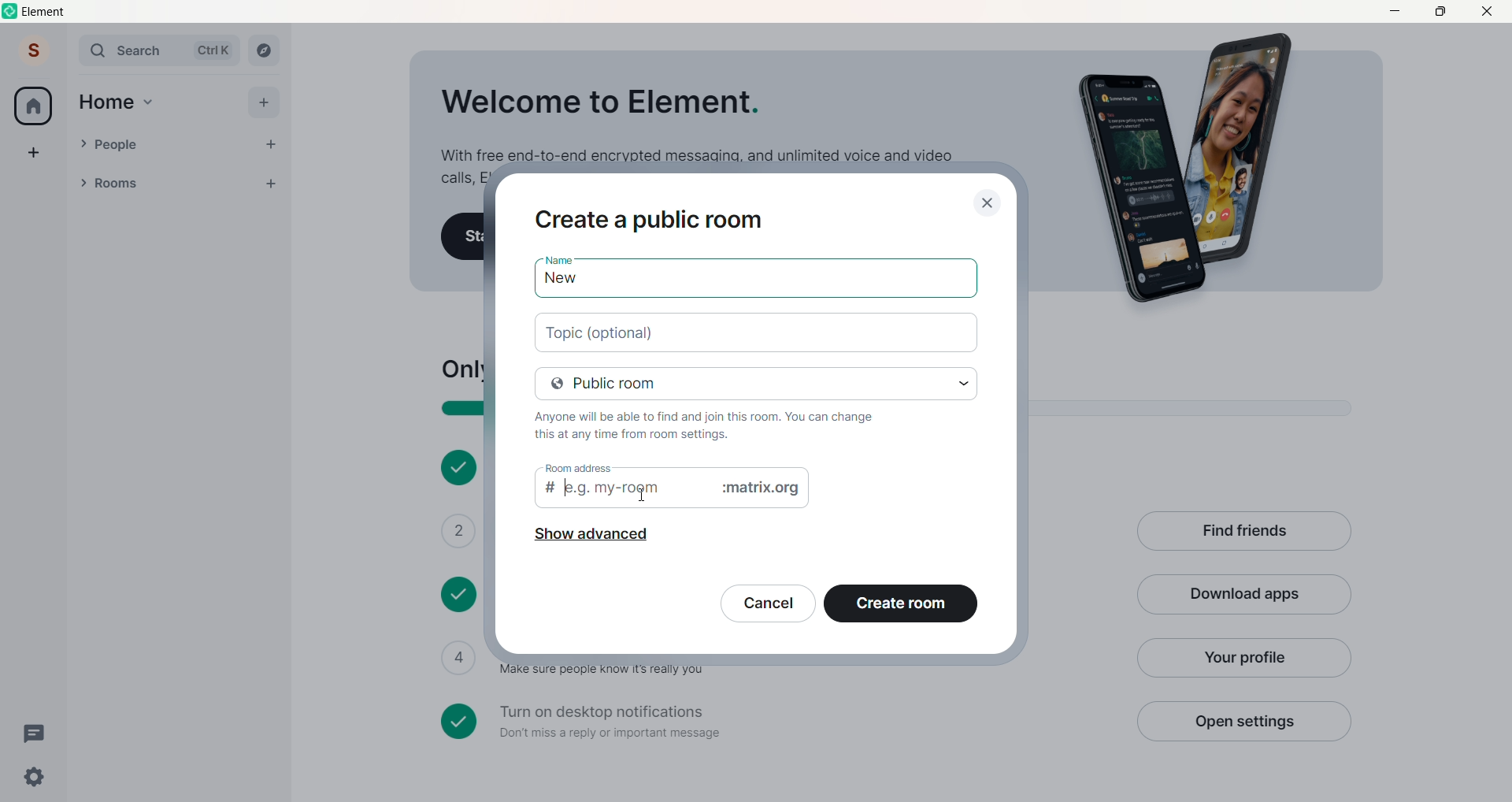 The height and width of the screenshot is (802, 1512). Describe the element at coordinates (1440, 10) in the screenshot. I see `Maximize` at that location.